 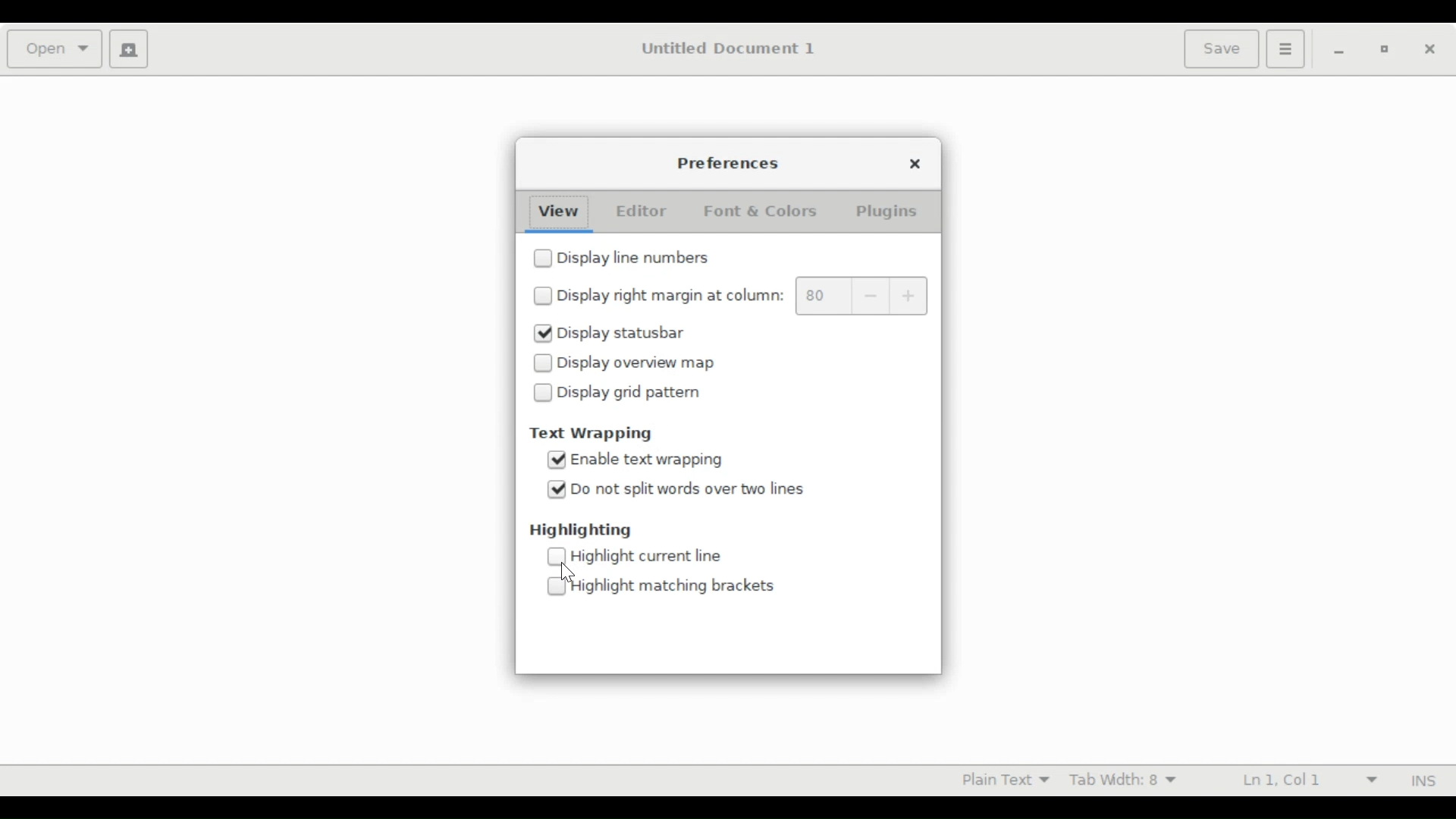 What do you see at coordinates (1307, 780) in the screenshot?
I see `Line and Colum Preference` at bounding box center [1307, 780].